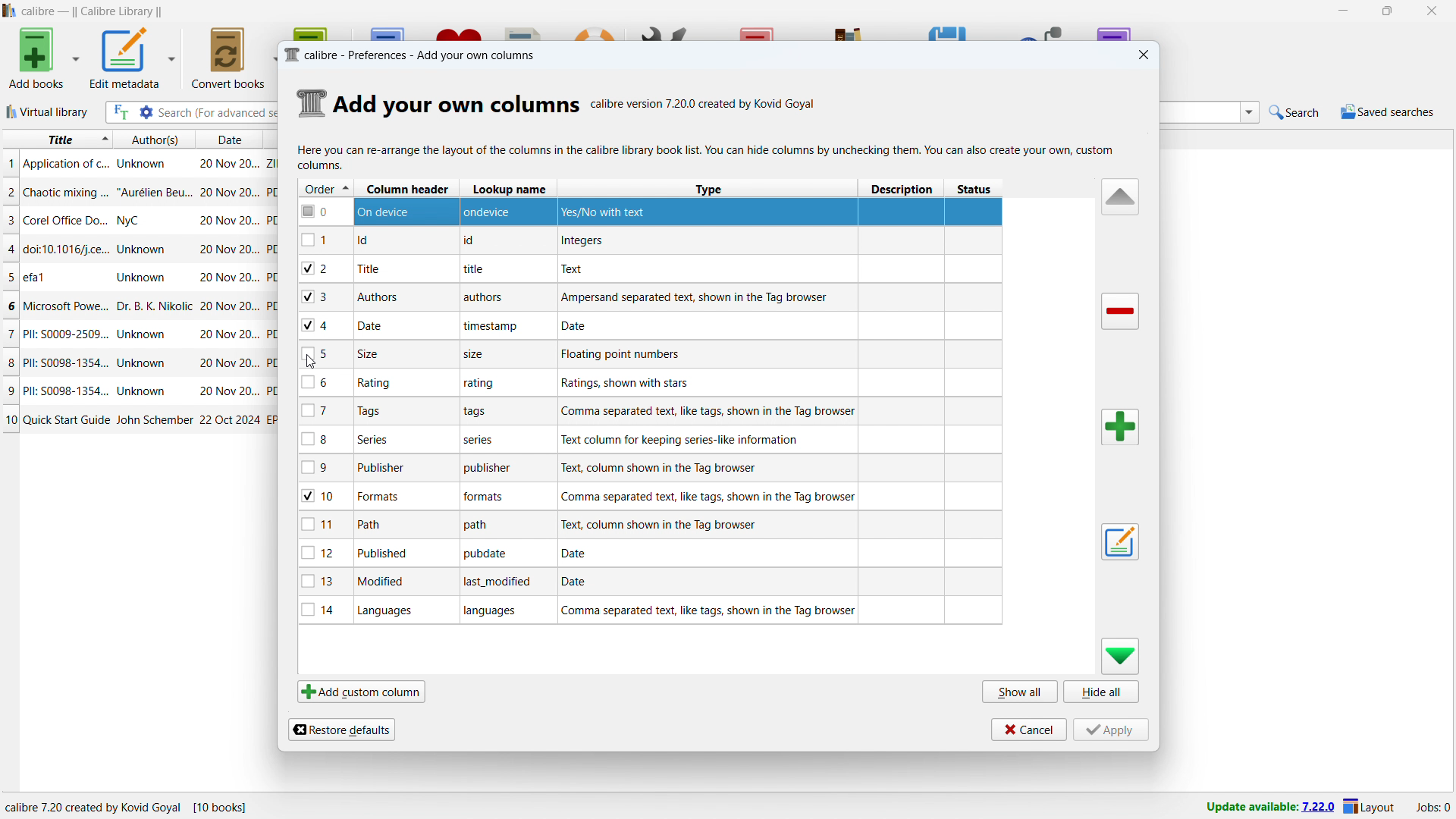 The height and width of the screenshot is (819, 1456). I want to click on title, so click(66, 220).